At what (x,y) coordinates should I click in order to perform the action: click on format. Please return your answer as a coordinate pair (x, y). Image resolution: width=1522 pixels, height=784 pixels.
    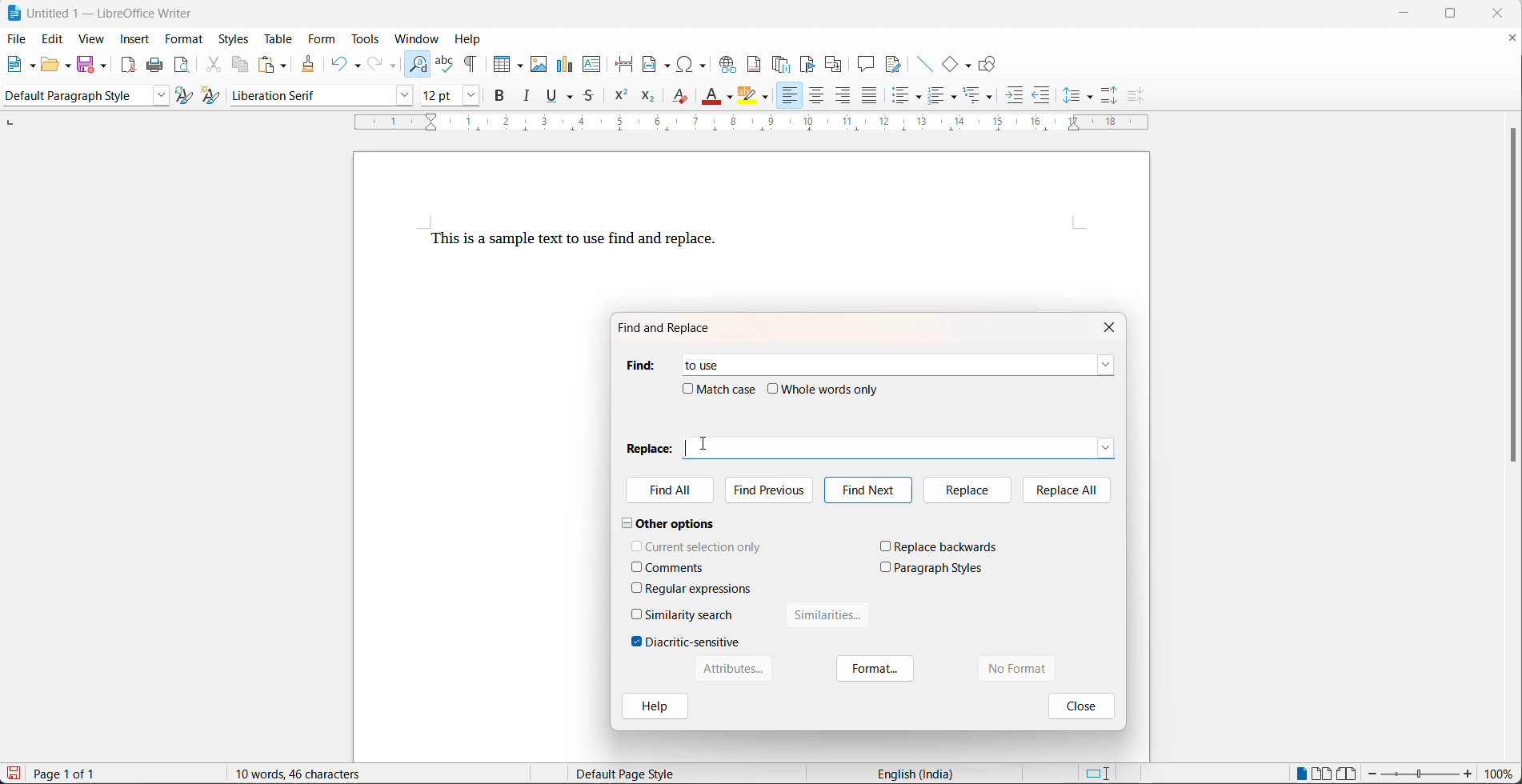
    Looking at the image, I should click on (876, 670).